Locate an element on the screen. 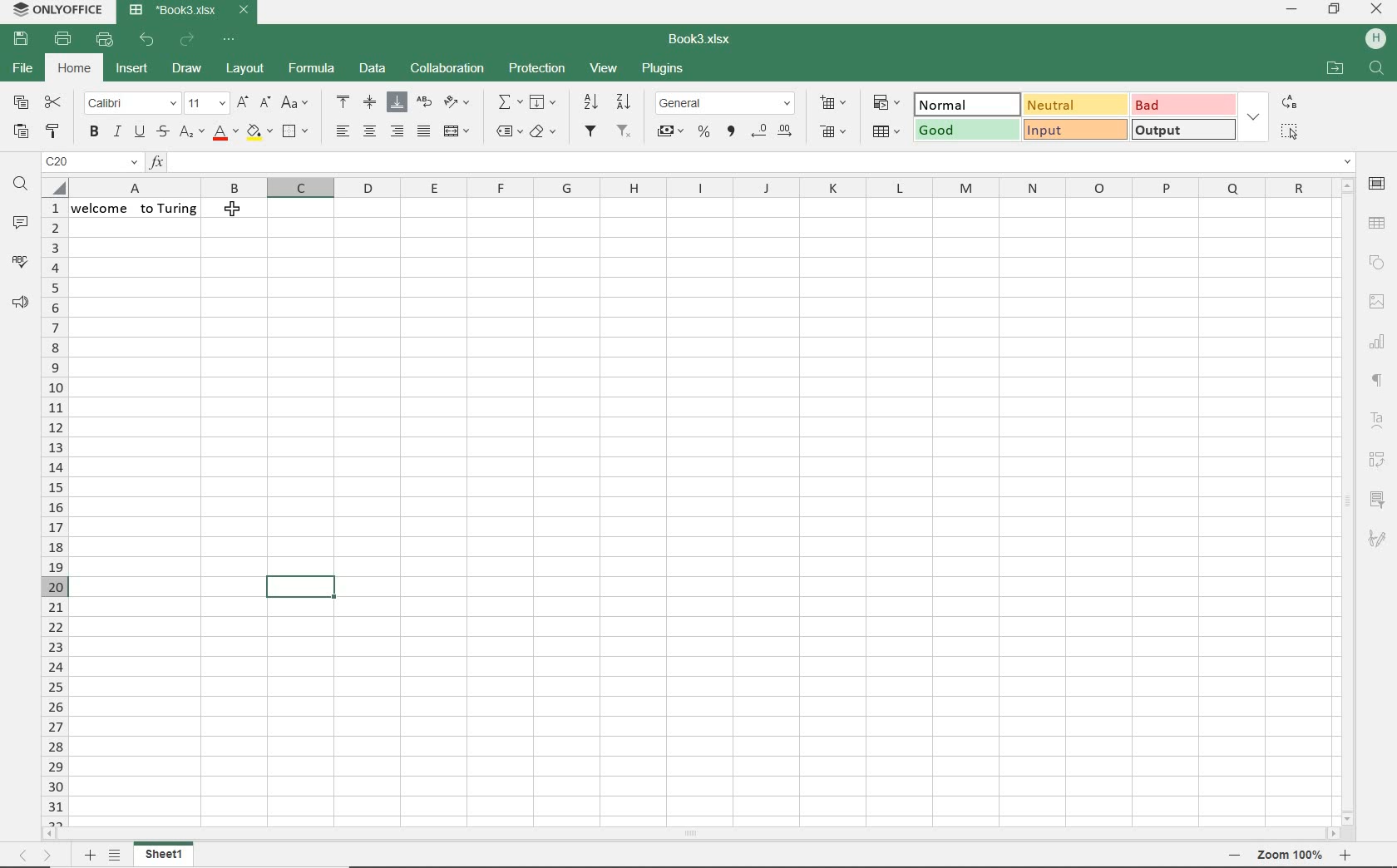 The image size is (1397, 868). account style is located at coordinates (671, 131).